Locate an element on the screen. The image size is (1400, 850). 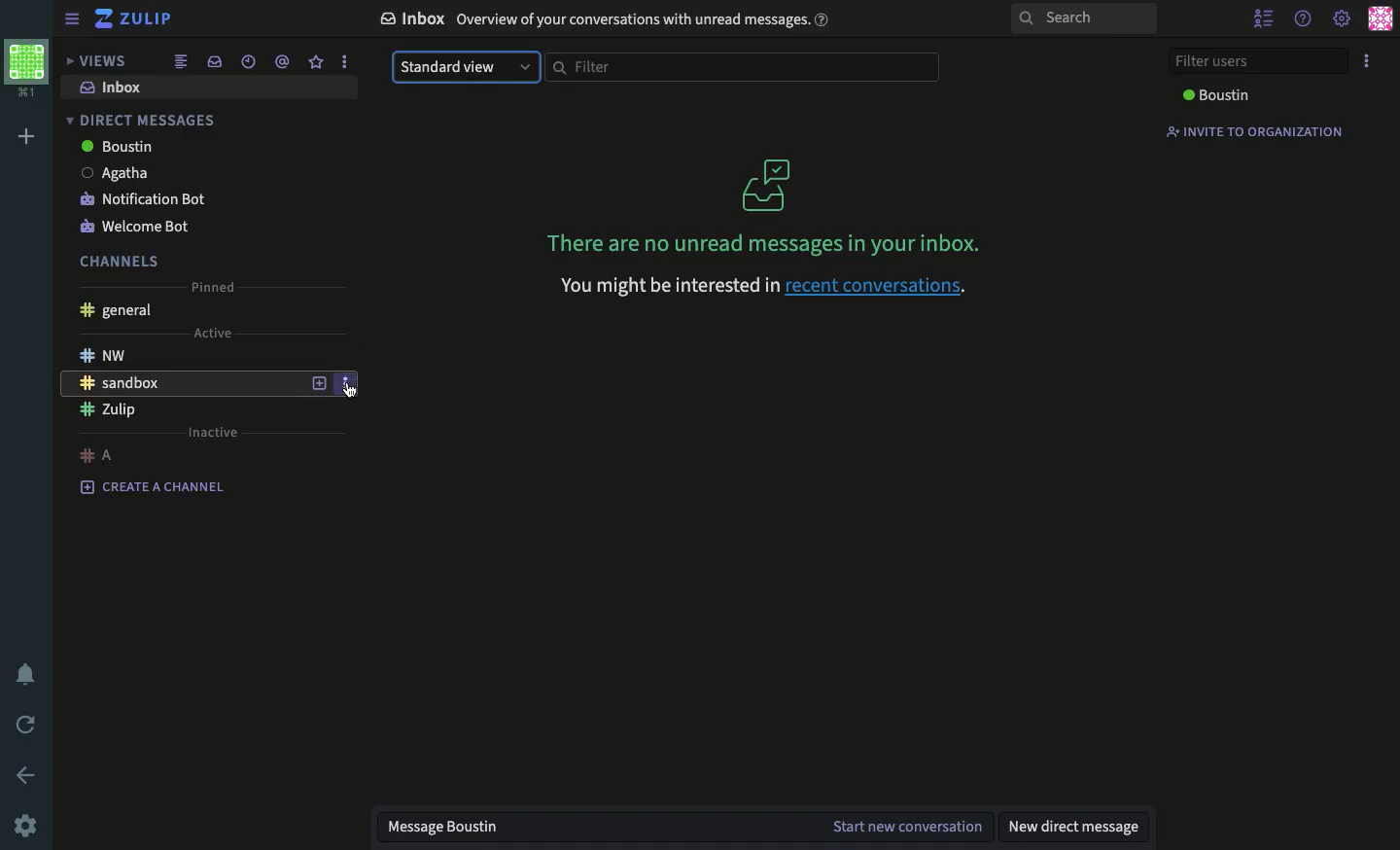
channels is located at coordinates (122, 261).